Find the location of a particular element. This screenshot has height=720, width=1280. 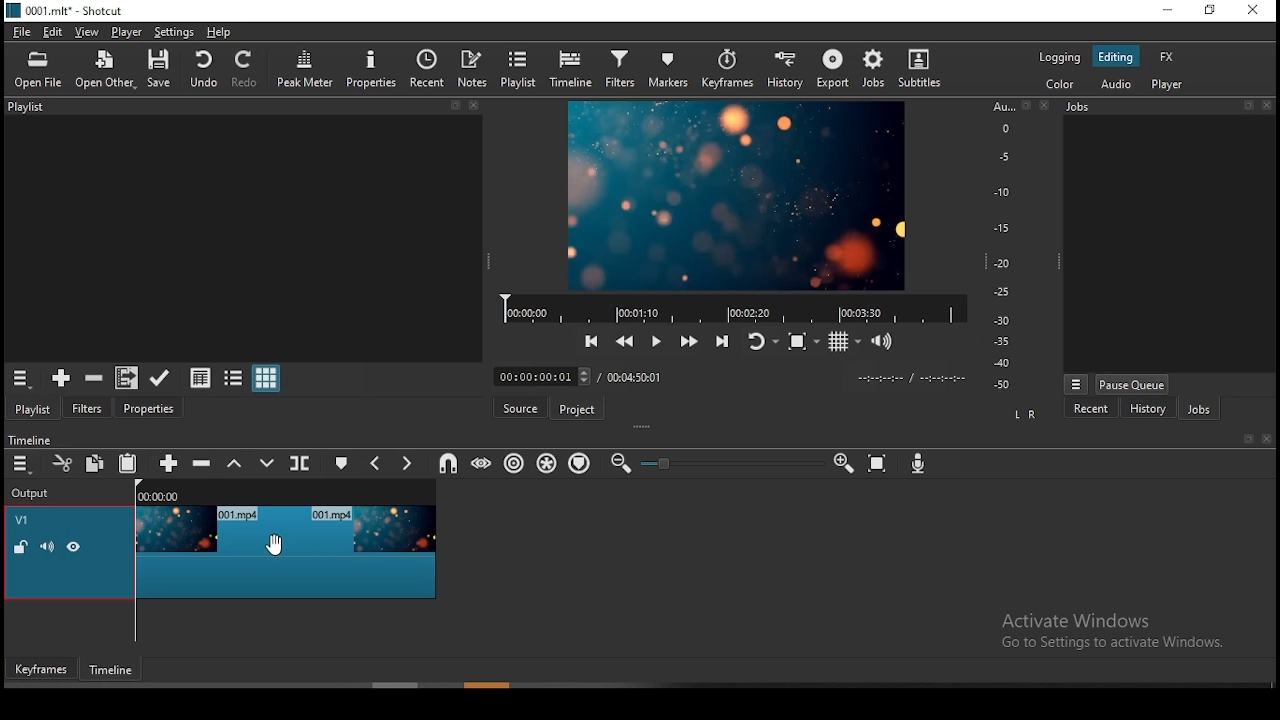

scrub while dragging is located at coordinates (482, 464).